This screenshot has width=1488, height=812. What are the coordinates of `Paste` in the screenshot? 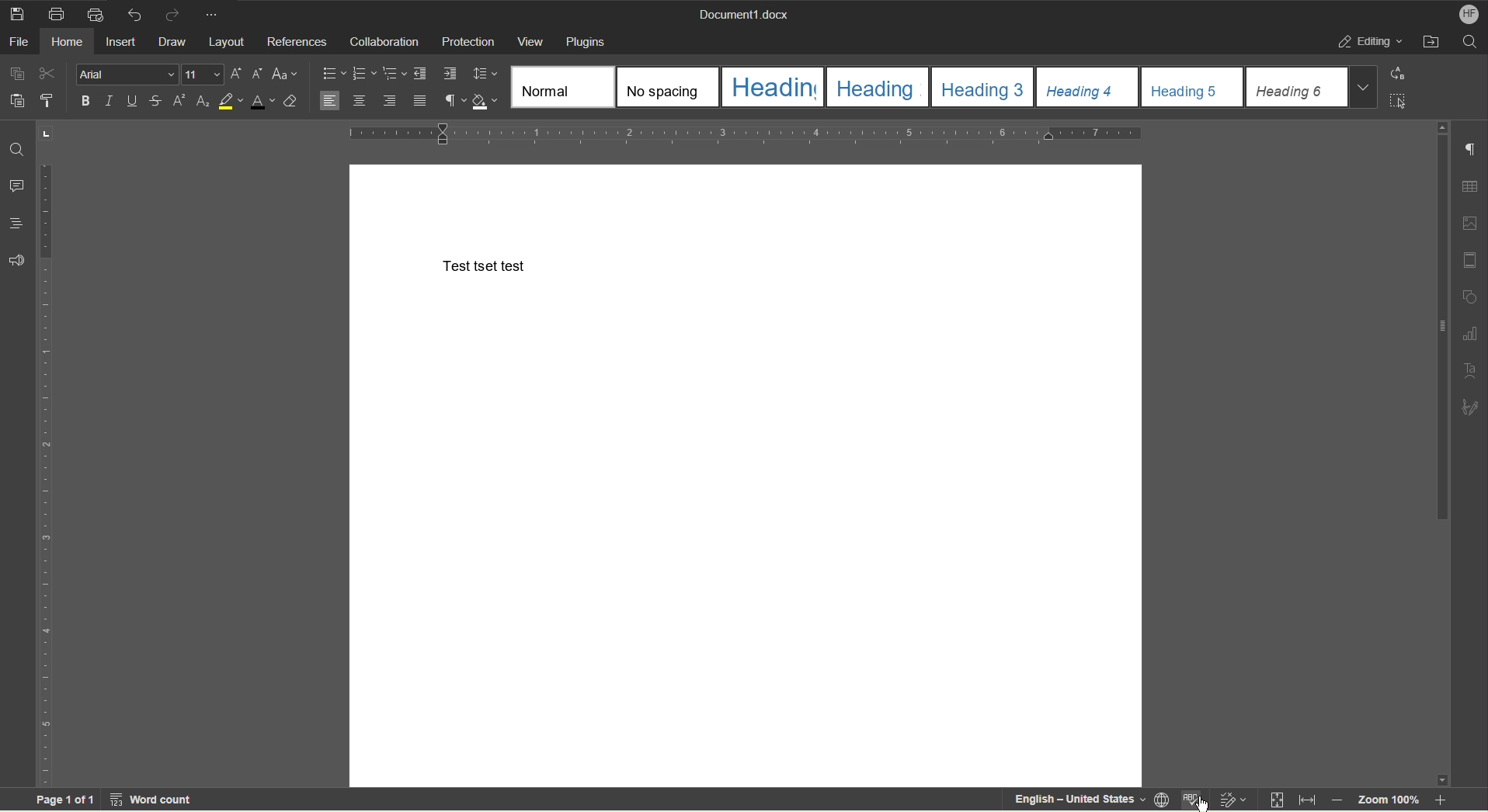 It's located at (14, 99).